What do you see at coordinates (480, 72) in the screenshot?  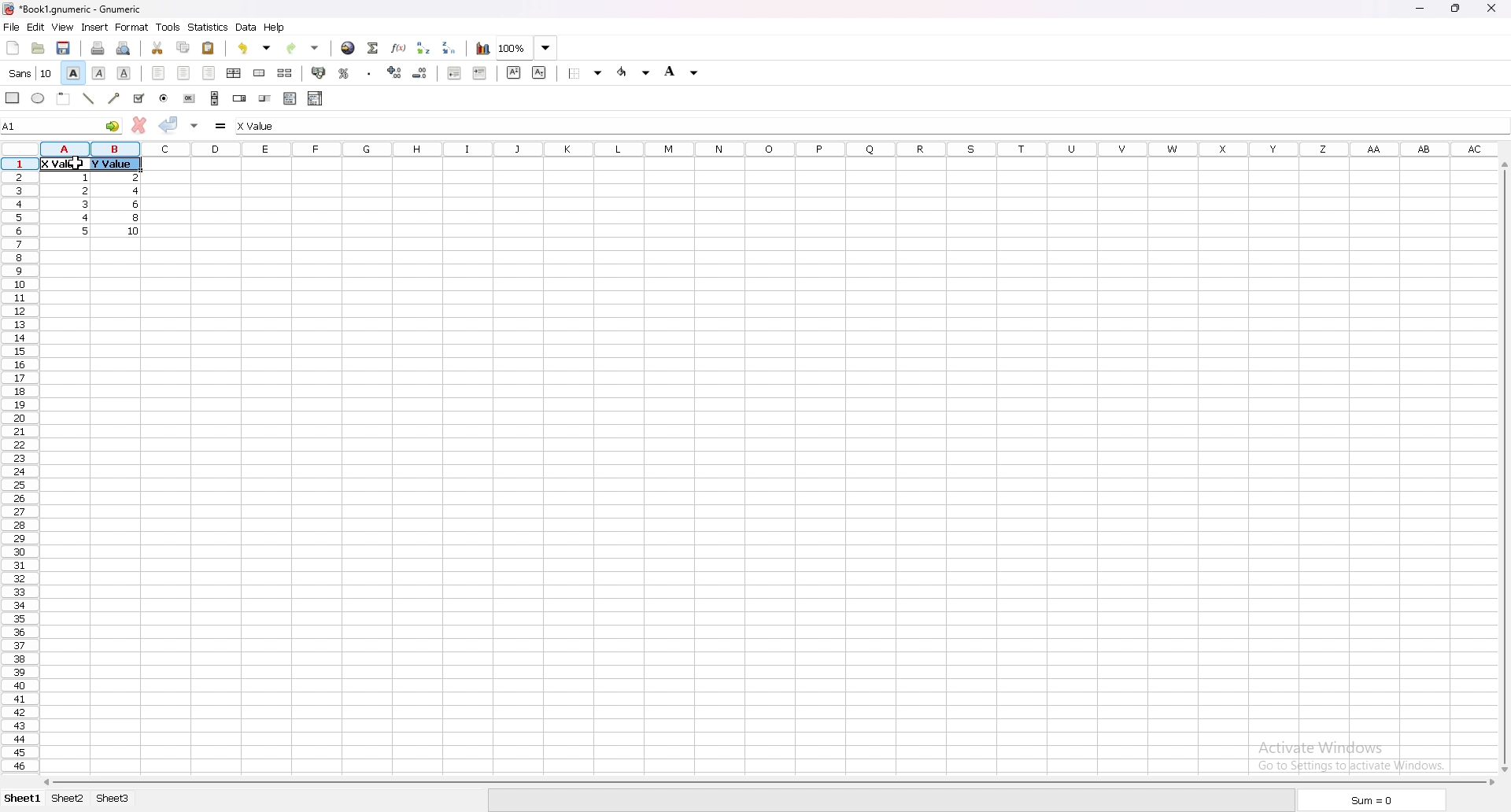 I see `increase indent` at bounding box center [480, 72].